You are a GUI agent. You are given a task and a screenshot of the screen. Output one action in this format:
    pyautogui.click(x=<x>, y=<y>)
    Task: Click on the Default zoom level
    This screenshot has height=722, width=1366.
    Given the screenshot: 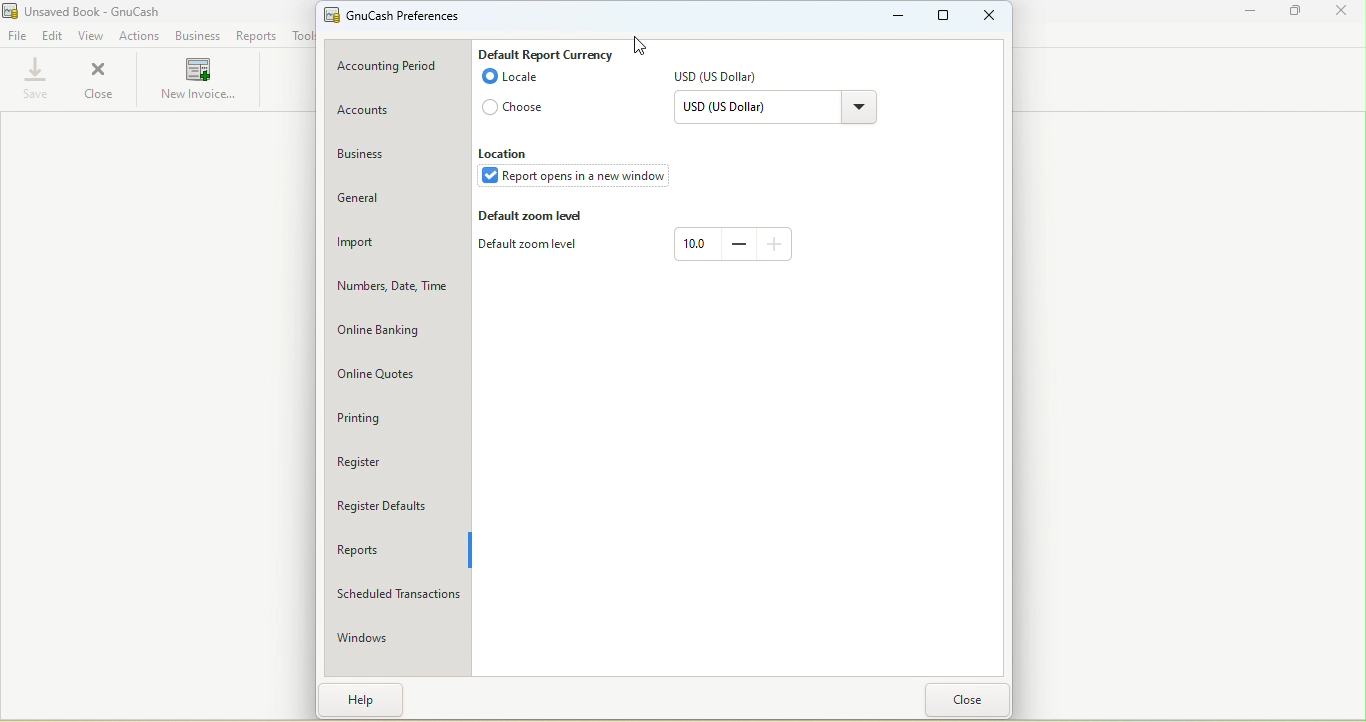 What is the action you would take?
    pyautogui.click(x=534, y=217)
    